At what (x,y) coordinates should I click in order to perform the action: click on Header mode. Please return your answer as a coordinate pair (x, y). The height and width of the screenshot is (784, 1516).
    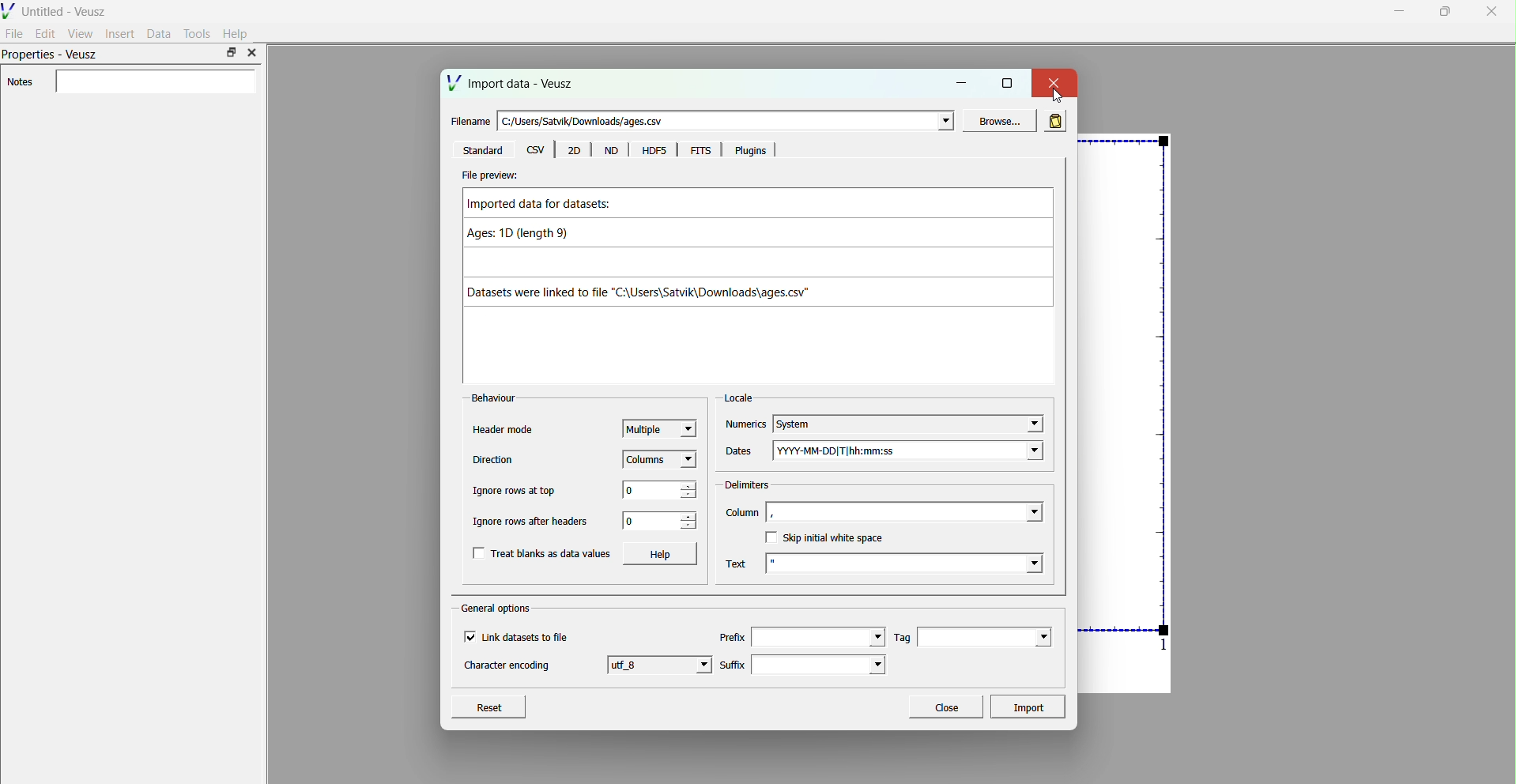
    Looking at the image, I should click on (501, 432).